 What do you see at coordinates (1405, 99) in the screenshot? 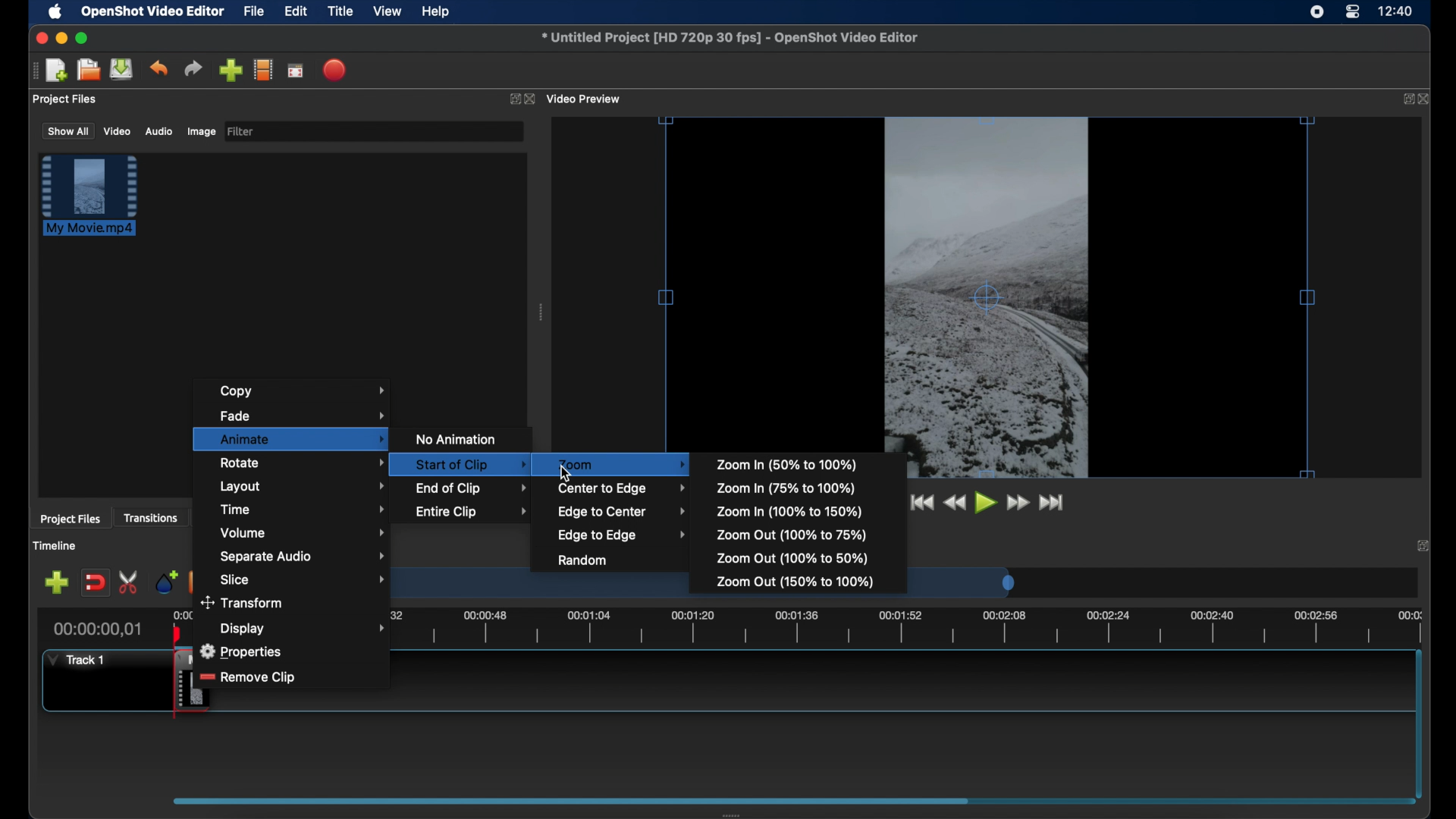
I see `expand` at bounding box center [1405, 99].